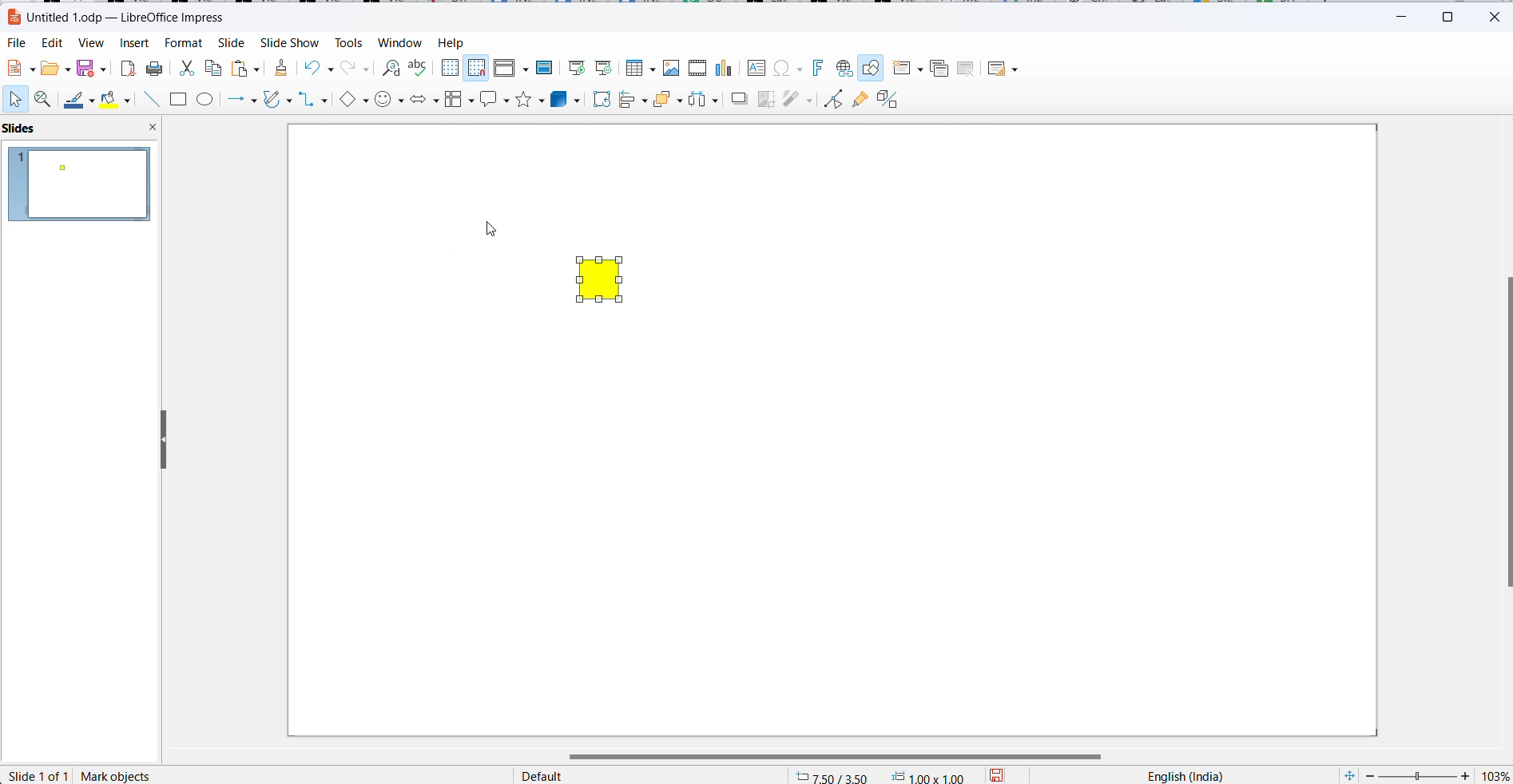  Describe the element at coordinates (244, 101) in the screenshot. I see `line and arrows` at that location.